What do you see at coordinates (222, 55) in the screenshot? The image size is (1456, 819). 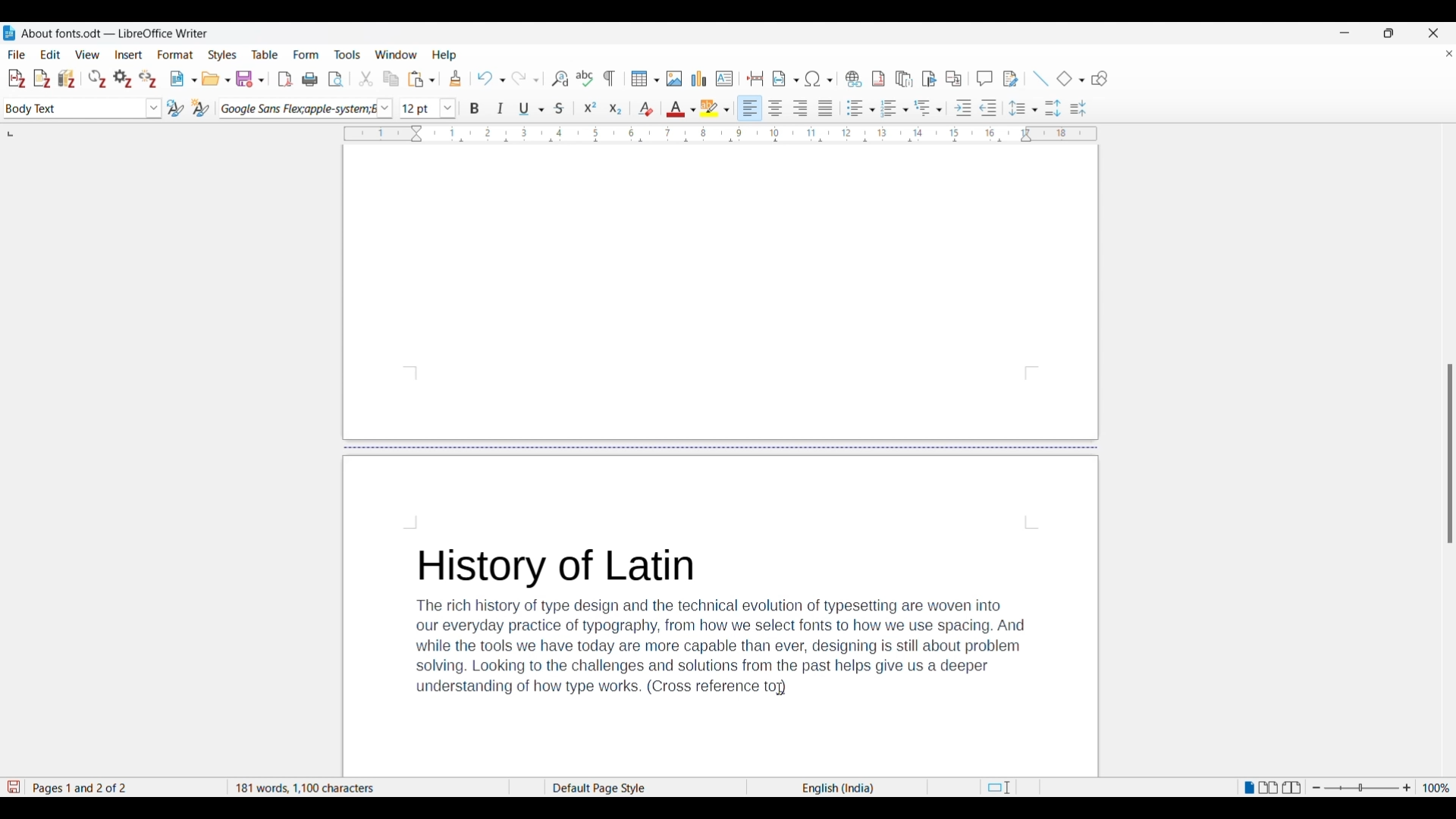 I see `Styles menu` at bounding box center [222, 55].